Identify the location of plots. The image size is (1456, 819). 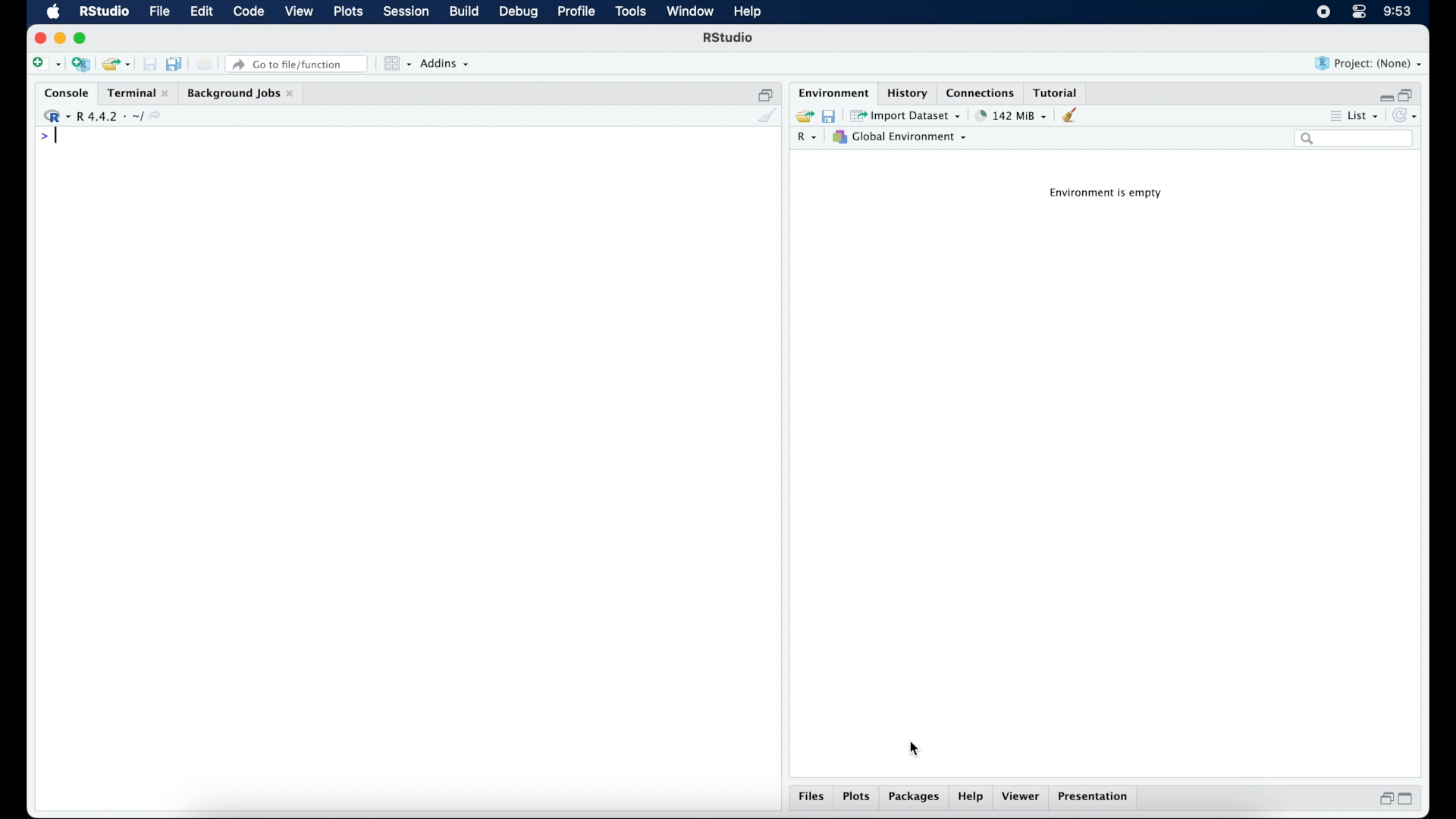
(857, 798).